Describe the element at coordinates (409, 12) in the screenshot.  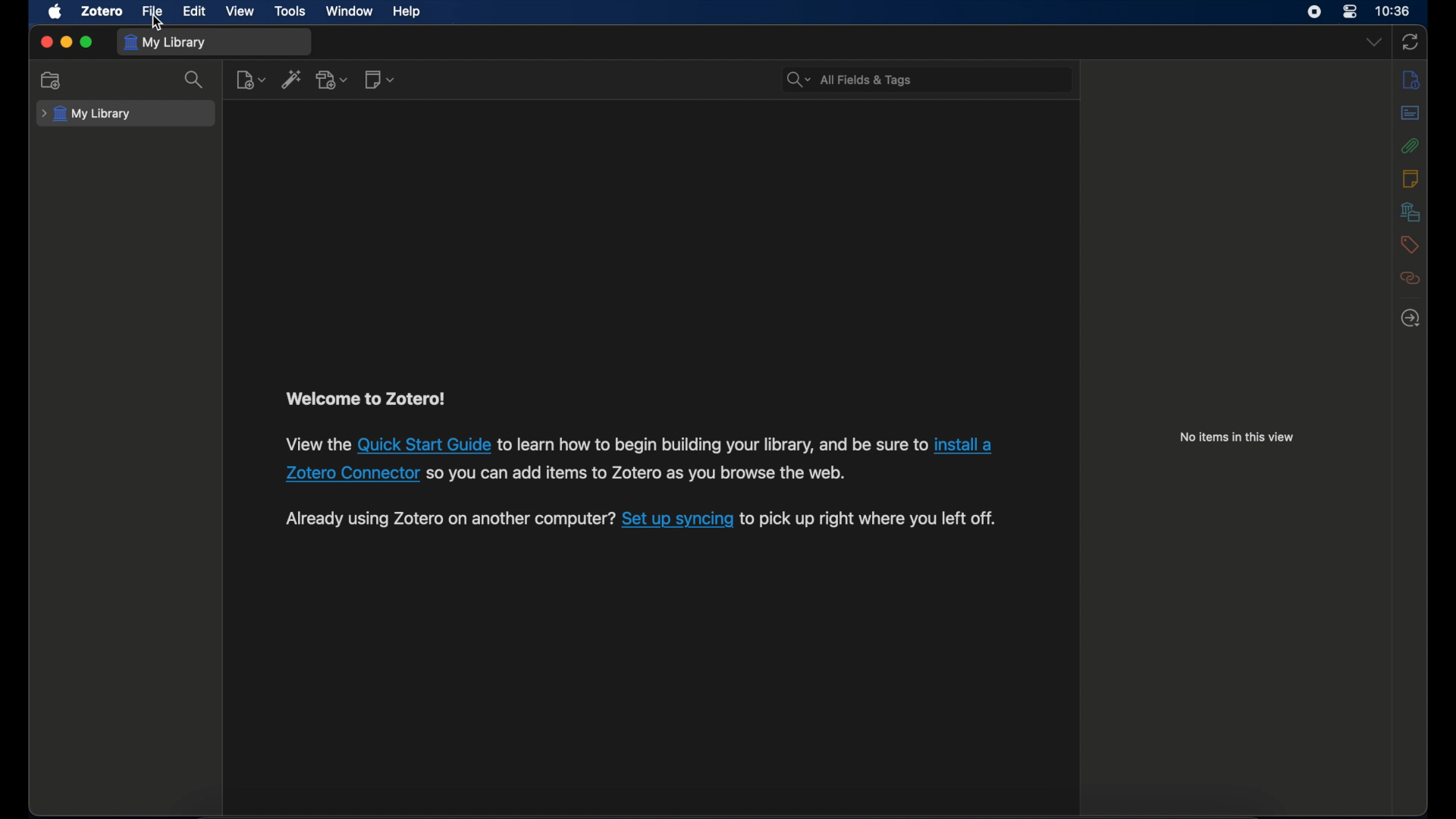
I see `help` at that location.